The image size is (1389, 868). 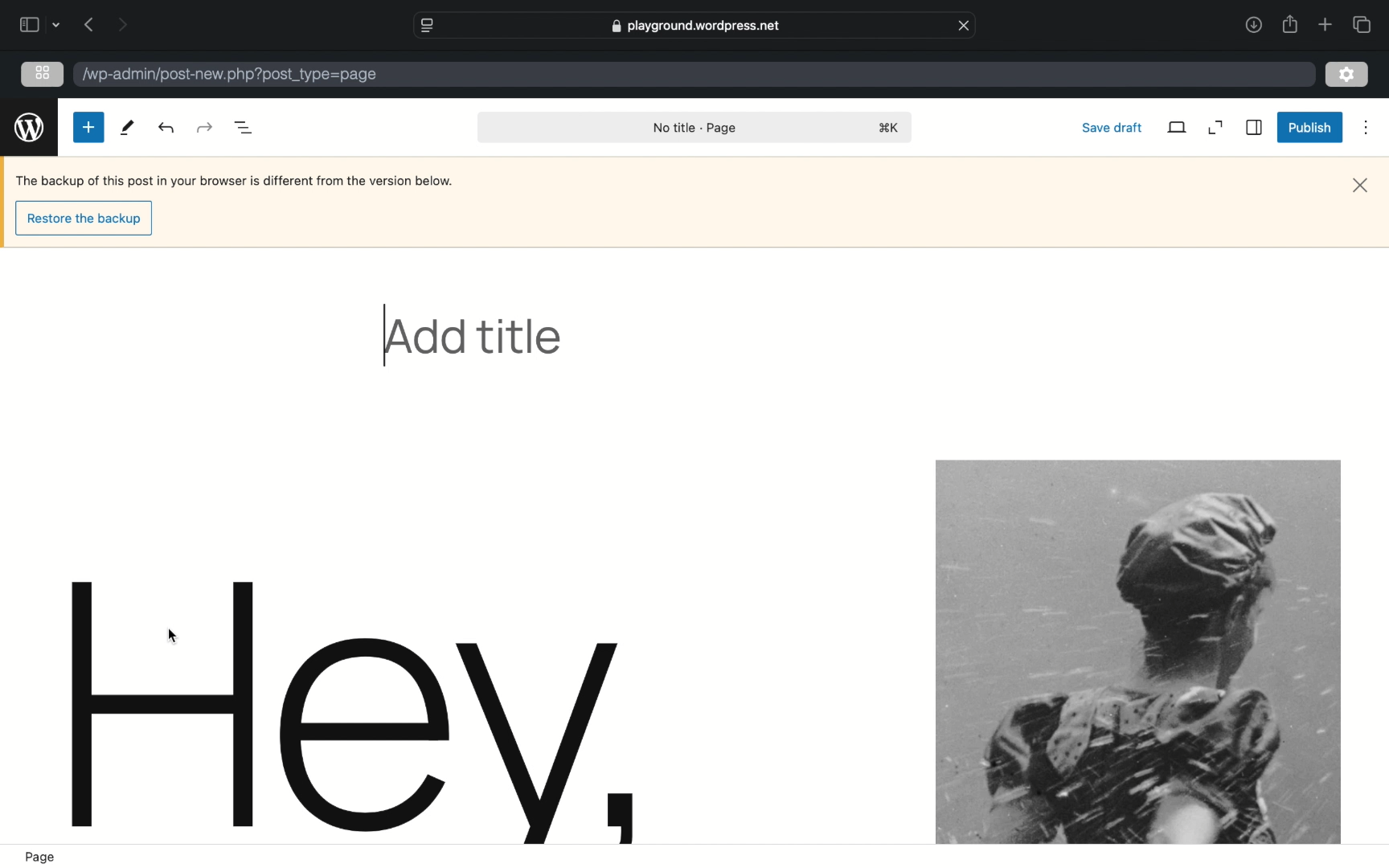 I want to click on info, so click(x=236, y=182).